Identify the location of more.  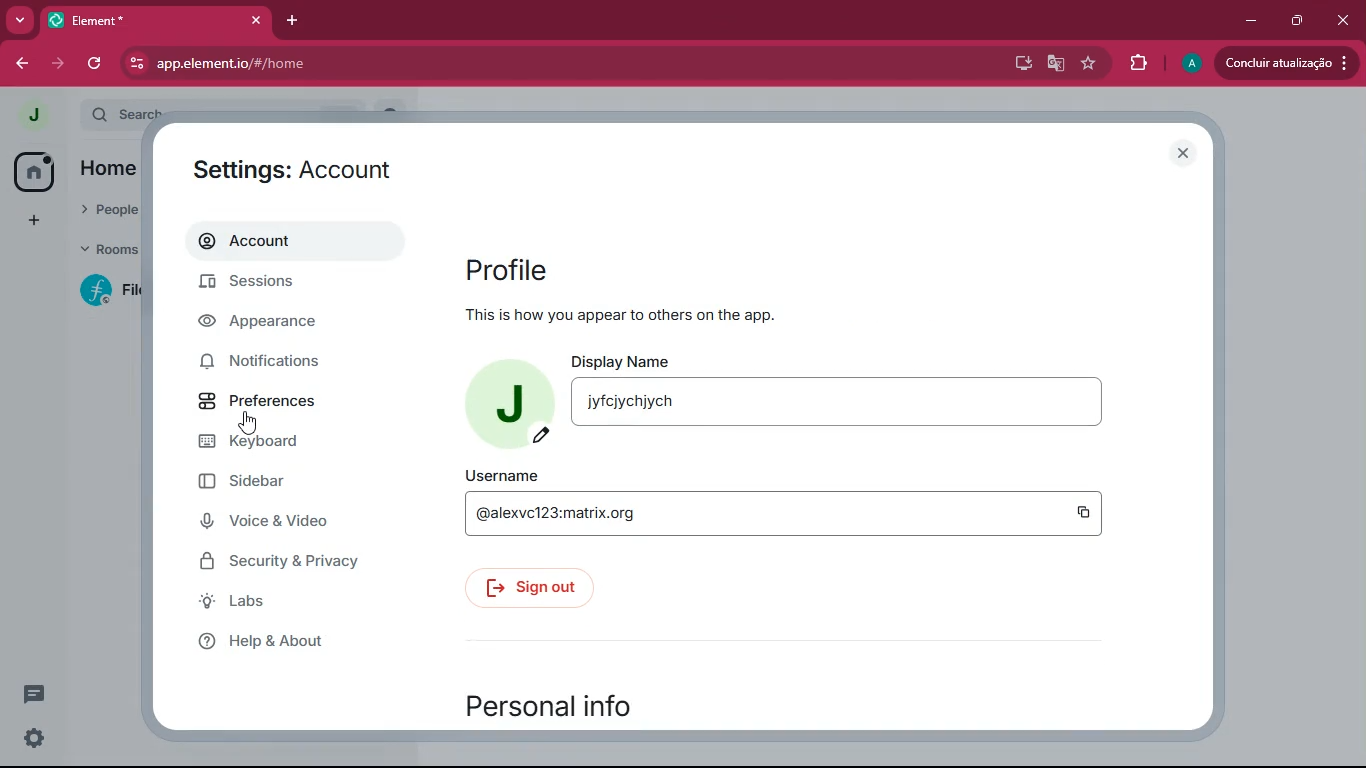
(20, 19).